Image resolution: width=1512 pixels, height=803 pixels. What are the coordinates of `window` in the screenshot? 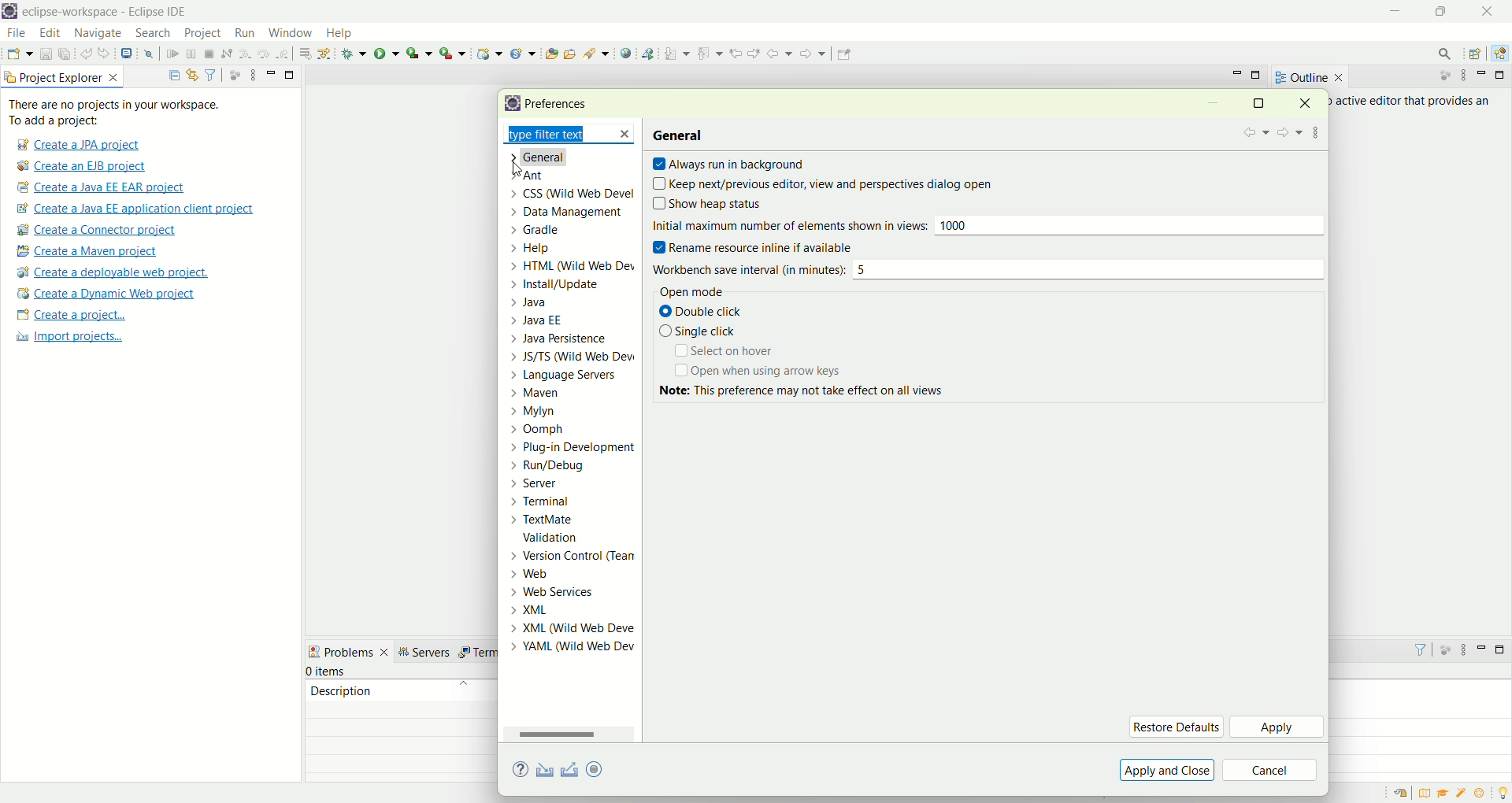 It's located at (289, 29).